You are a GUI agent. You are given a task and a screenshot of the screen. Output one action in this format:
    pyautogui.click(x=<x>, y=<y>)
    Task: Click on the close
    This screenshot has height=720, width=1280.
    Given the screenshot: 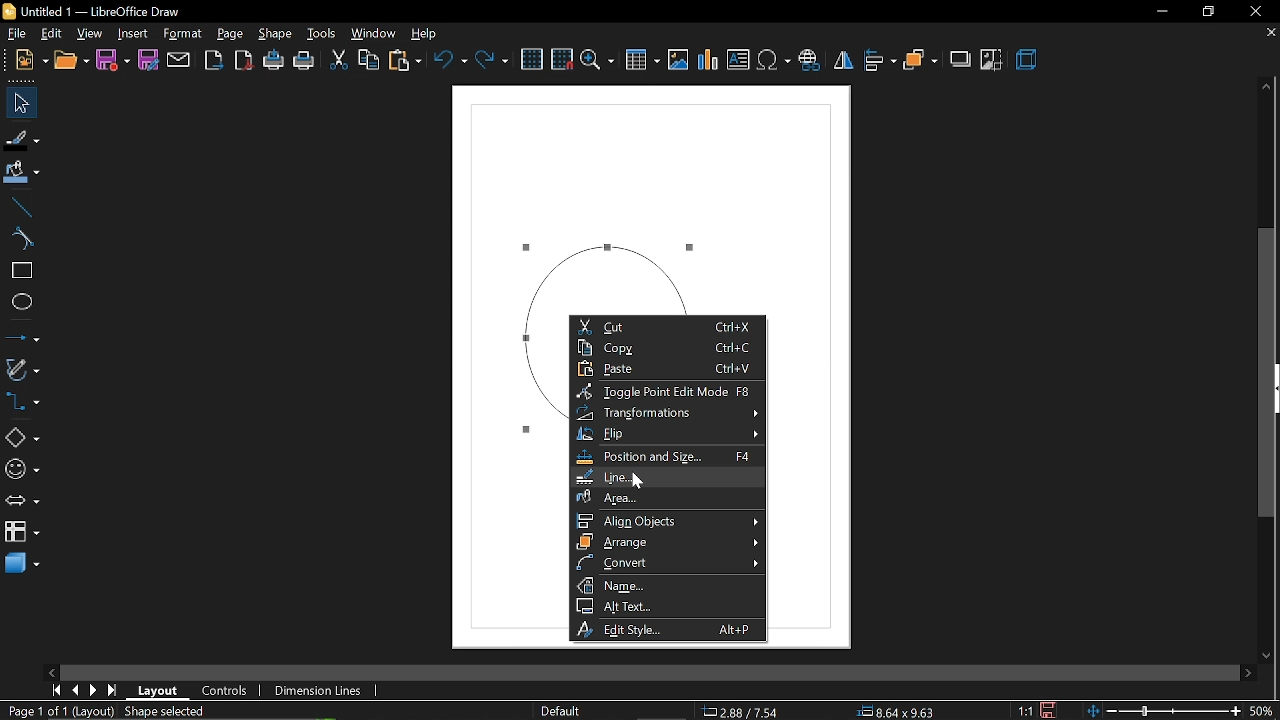 What is the action you would take?
    pyautogui.click(x=1254, y=11)
    